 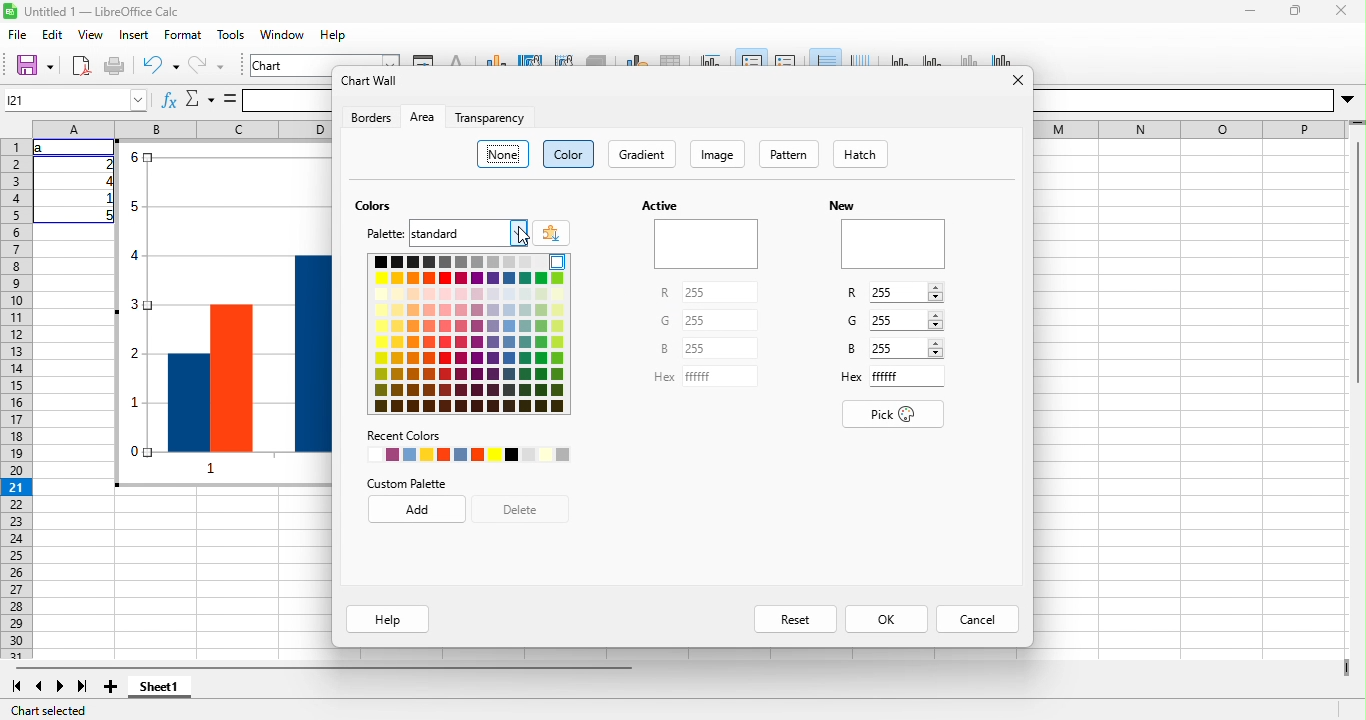 I want to click on help, so click(x=333, y=34).